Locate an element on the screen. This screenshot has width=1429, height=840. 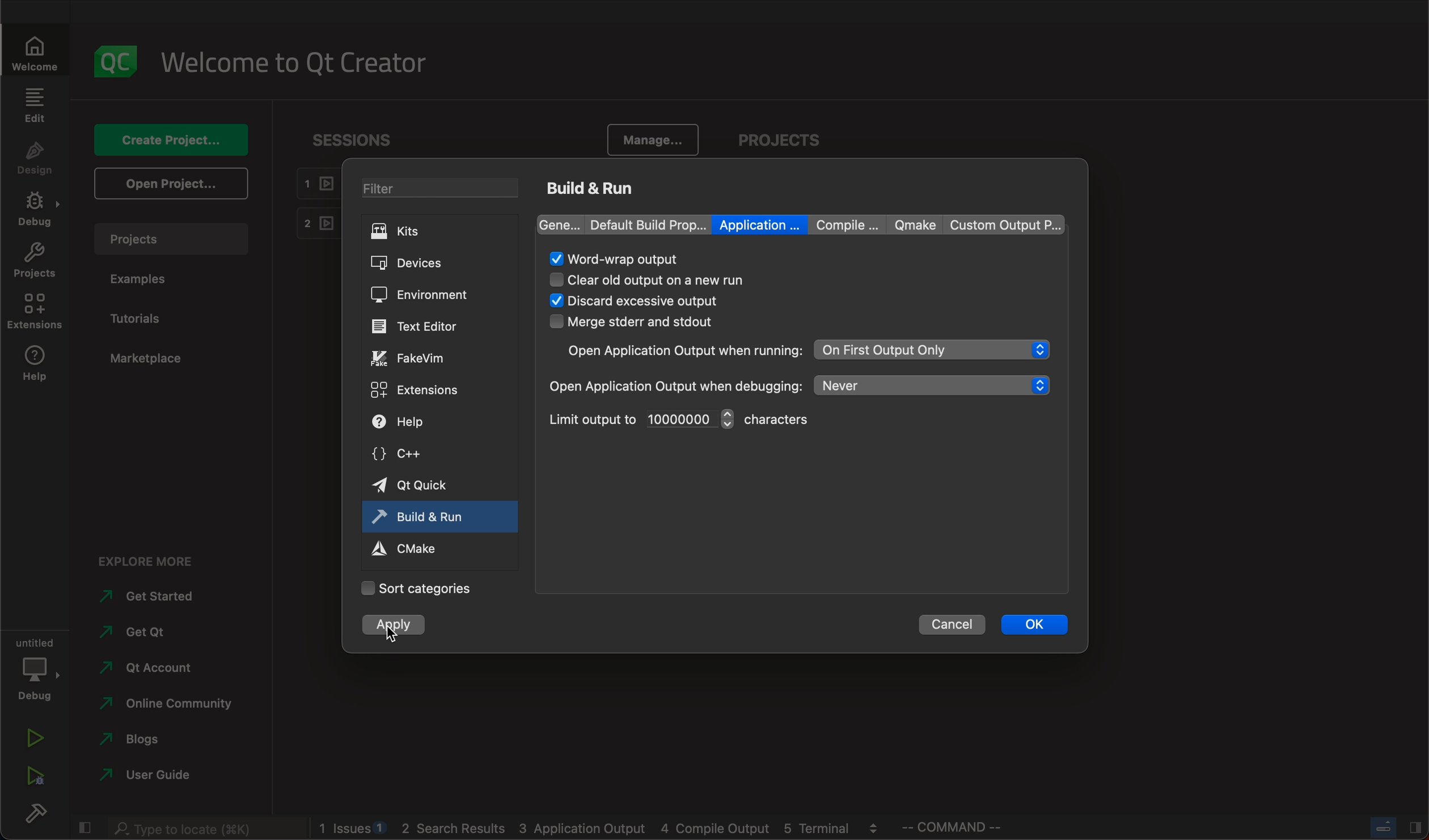
fakevim is located at coordinates (426, 359).